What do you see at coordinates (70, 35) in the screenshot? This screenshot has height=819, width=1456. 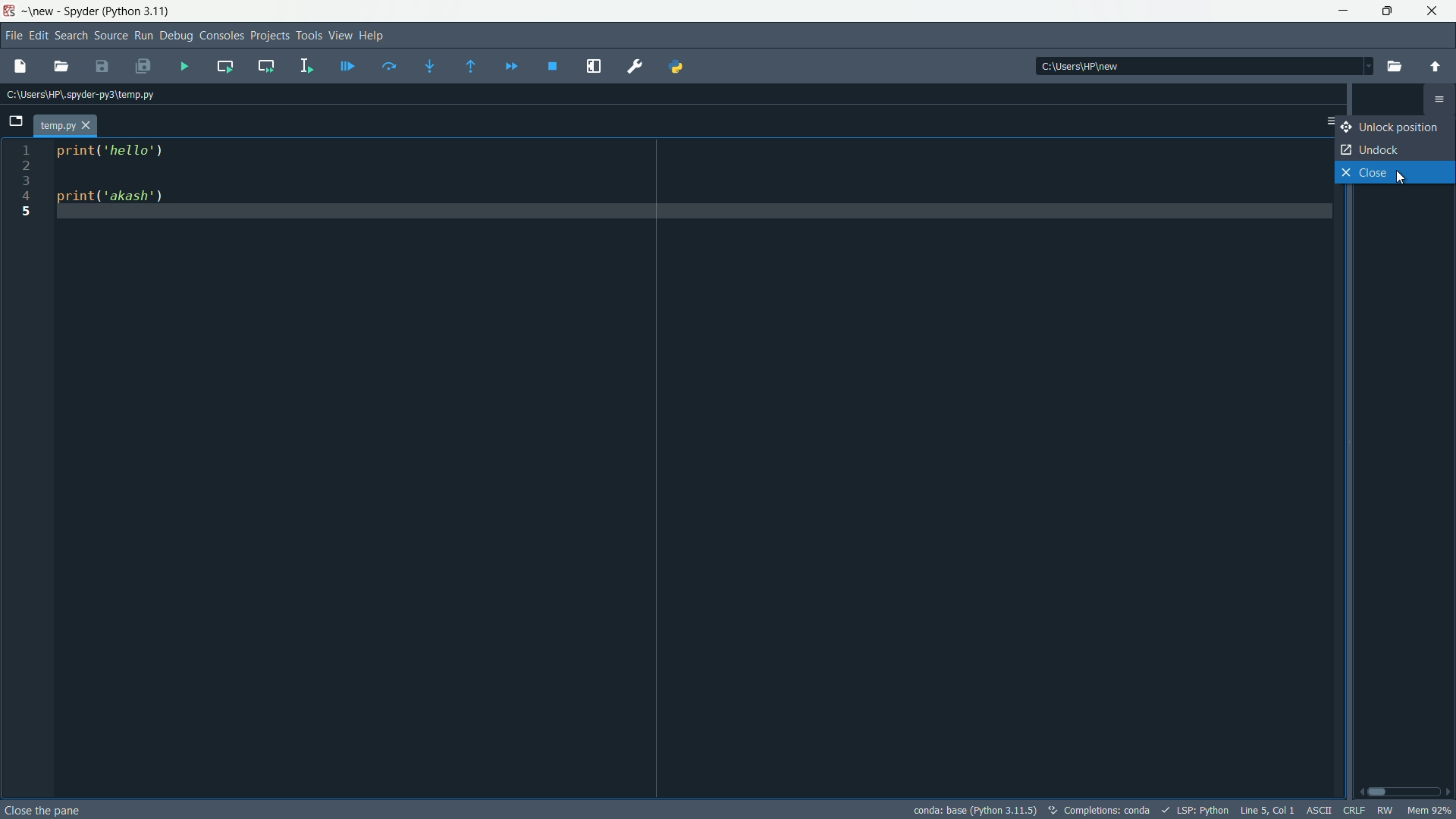 I see `Search Menu` at bounding box center [70, 35].